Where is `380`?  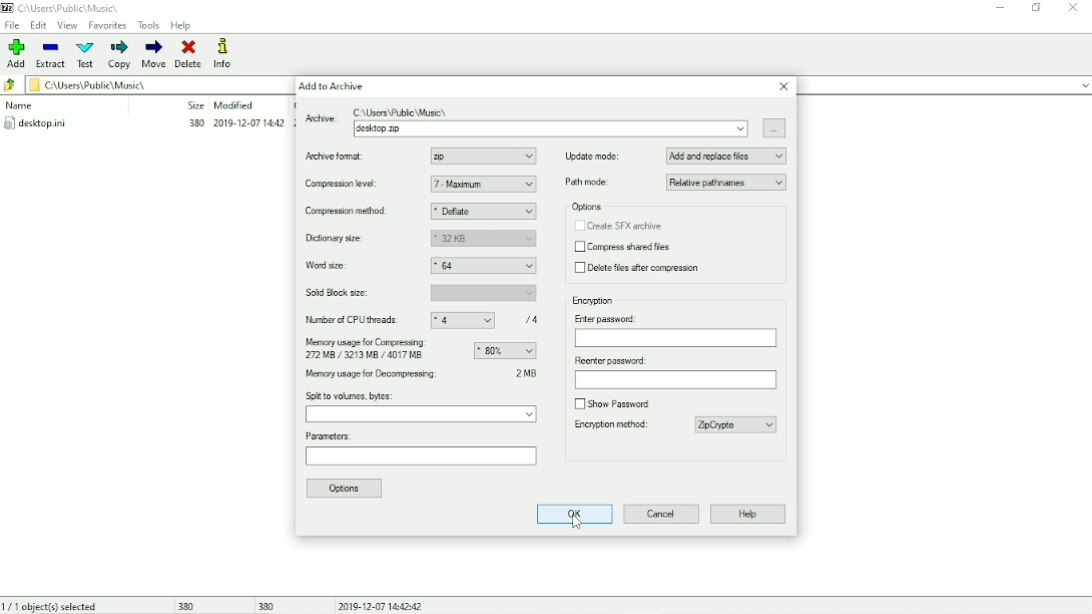
380 is located at coordinates (267, 605).